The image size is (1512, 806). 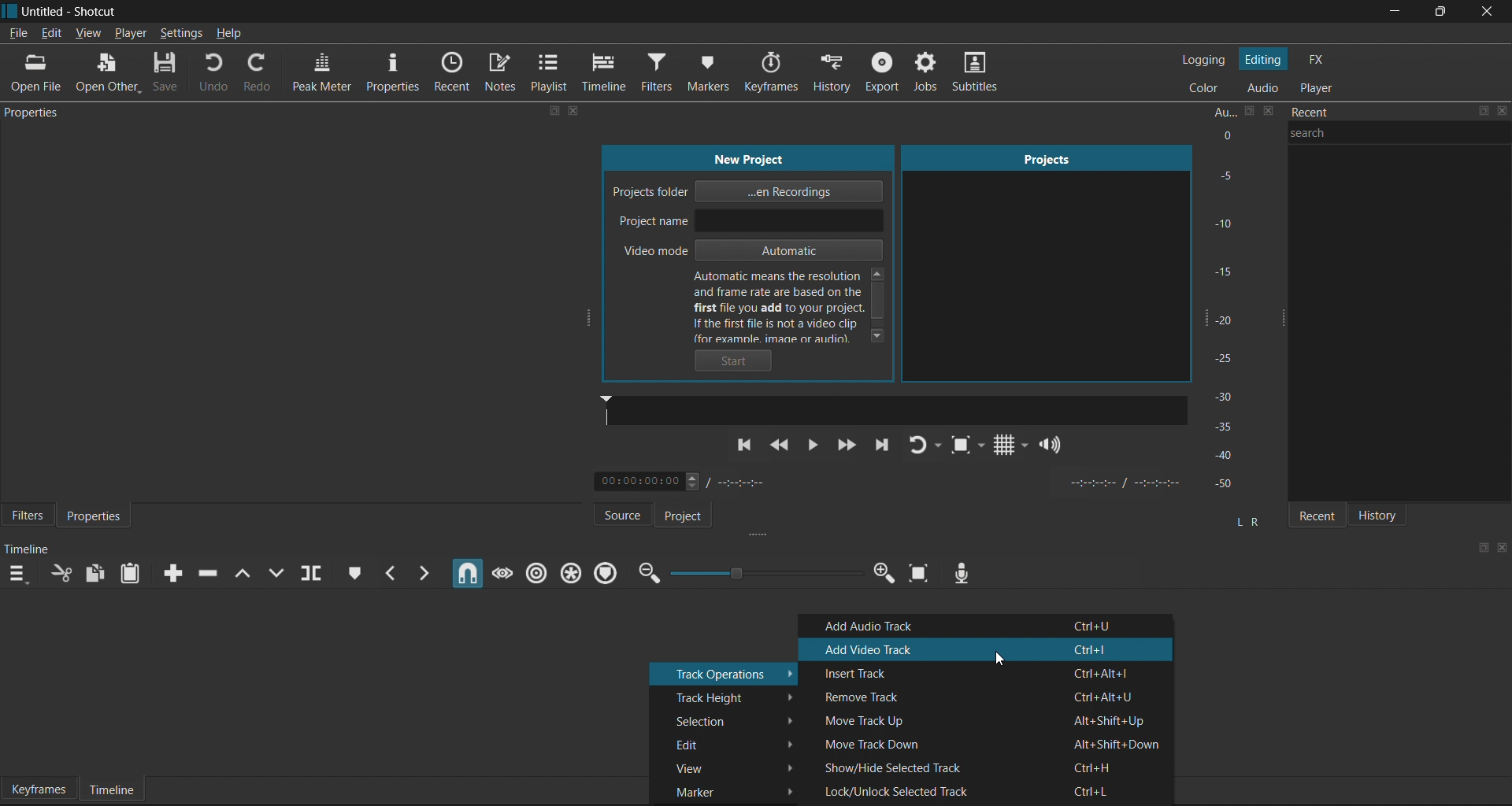 What do you see at coordinates (1403, 142) in the screenshot?
I see `search` at bounding box center [1403, 142].